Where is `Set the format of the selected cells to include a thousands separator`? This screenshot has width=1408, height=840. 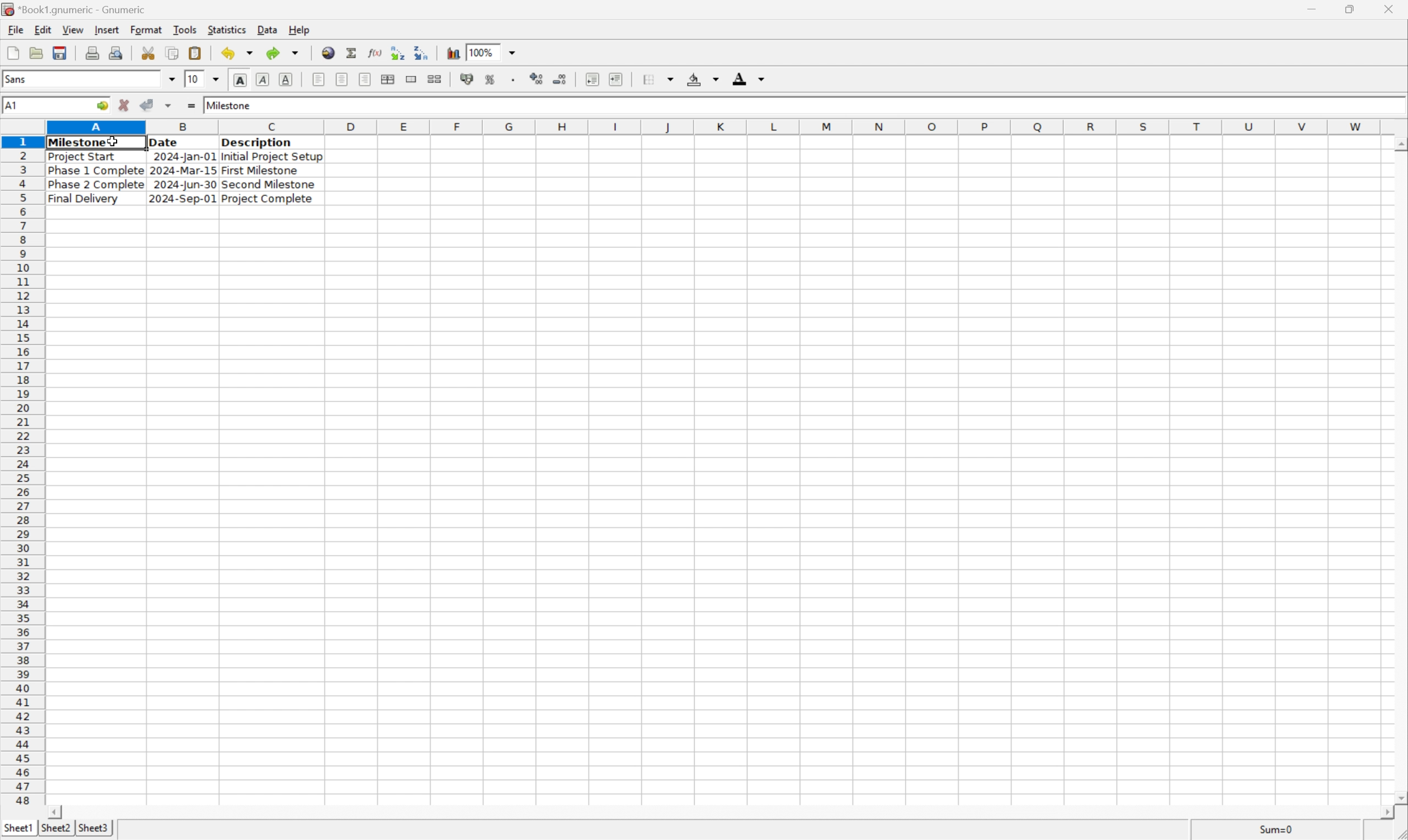 Set the format of the selected cells to include a thousands separator is located at coordinates (516, 79).